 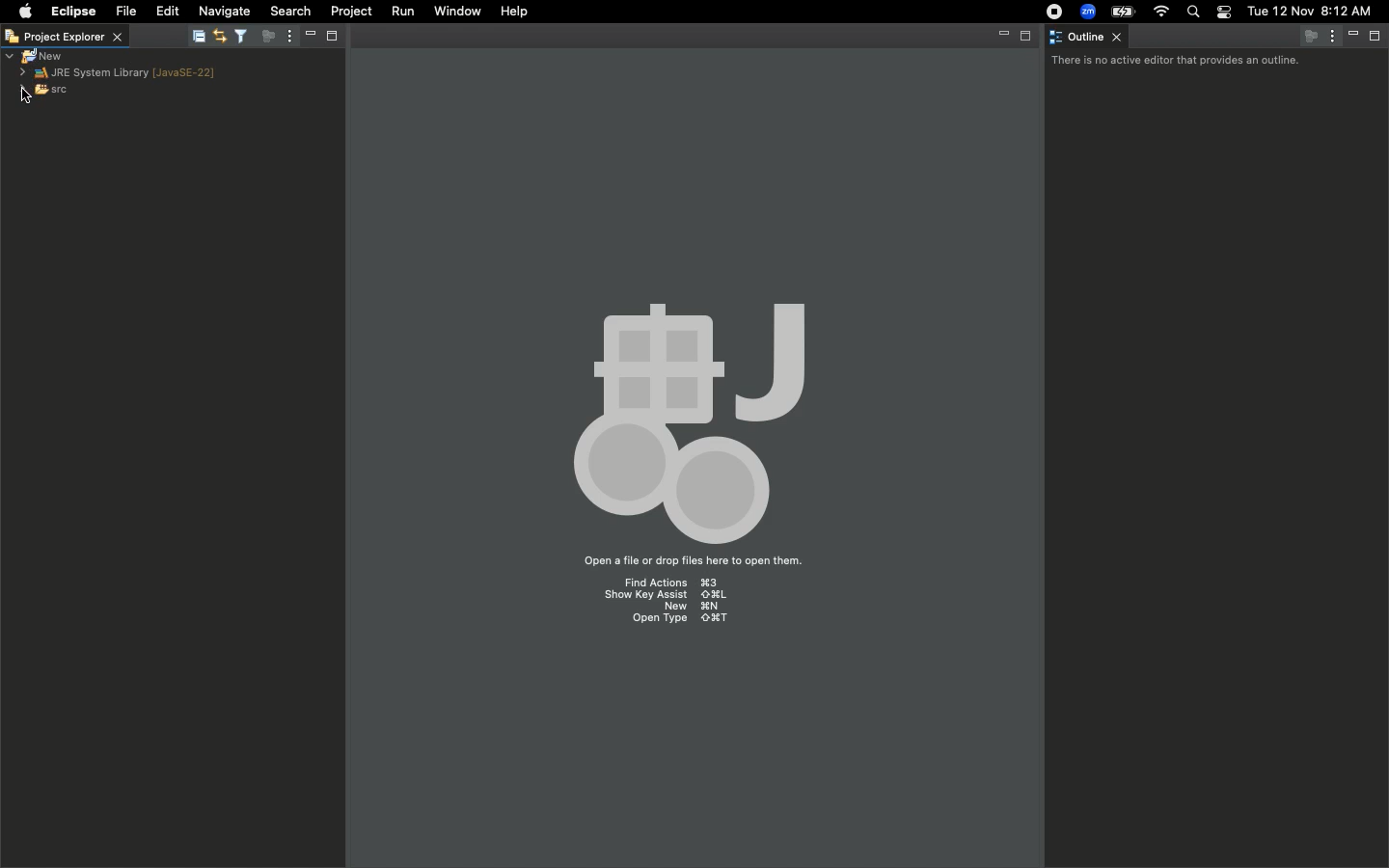 I want to click on Edit, so click(x=165, y=10).